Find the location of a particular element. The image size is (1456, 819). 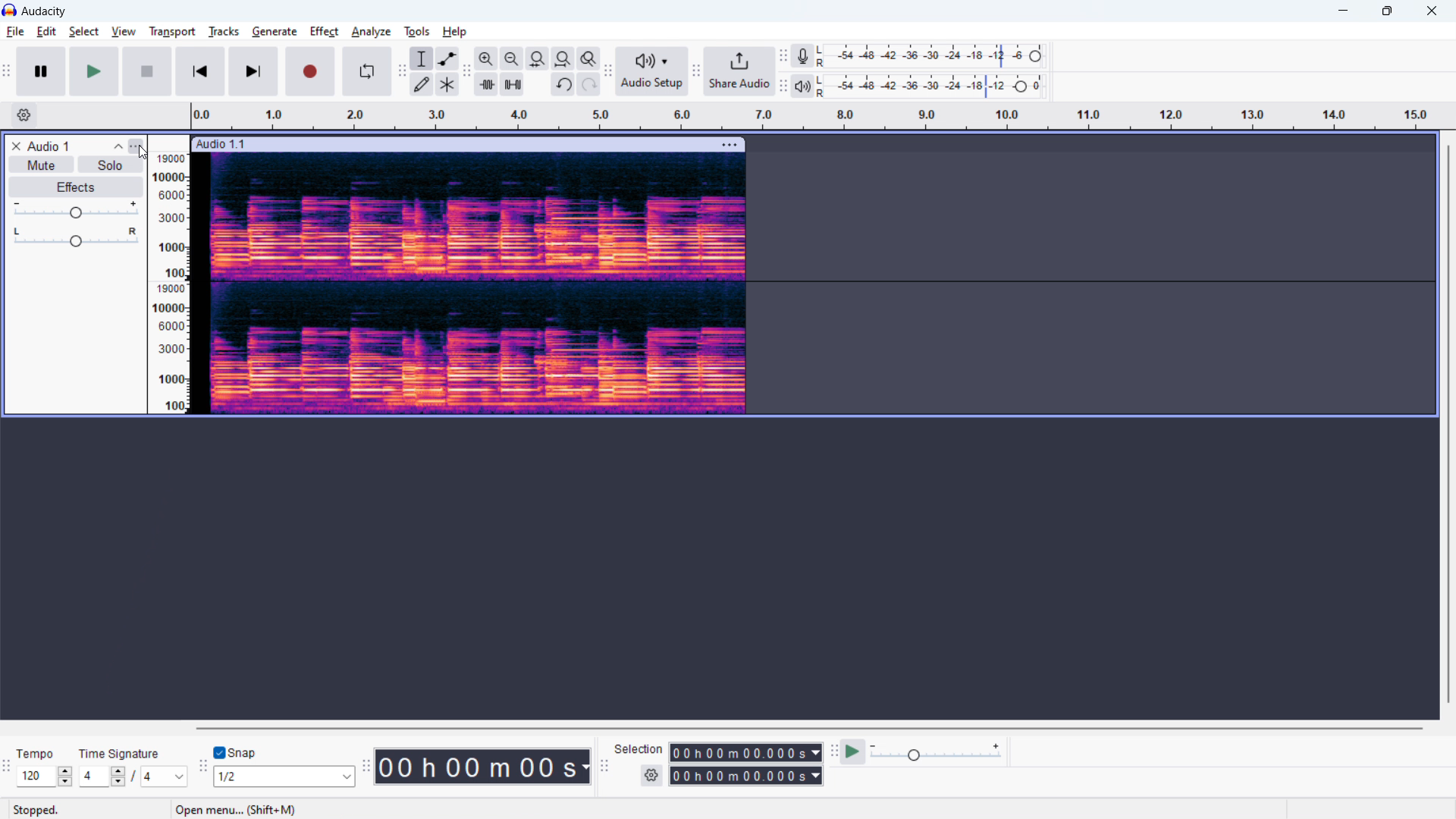

effects is located at coordinates (75, 187).